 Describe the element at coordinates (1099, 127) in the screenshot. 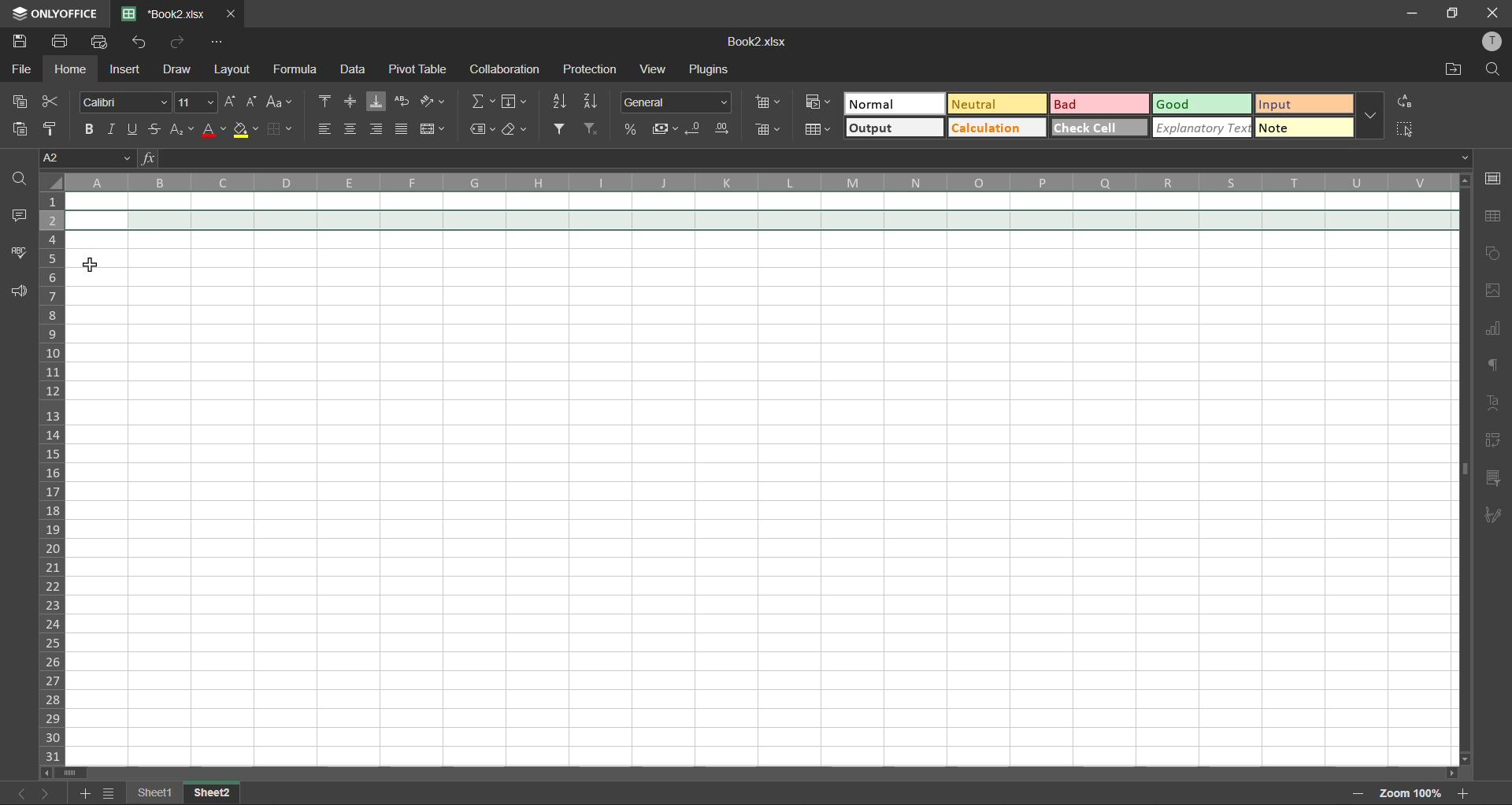

I see `check cell` at that location.